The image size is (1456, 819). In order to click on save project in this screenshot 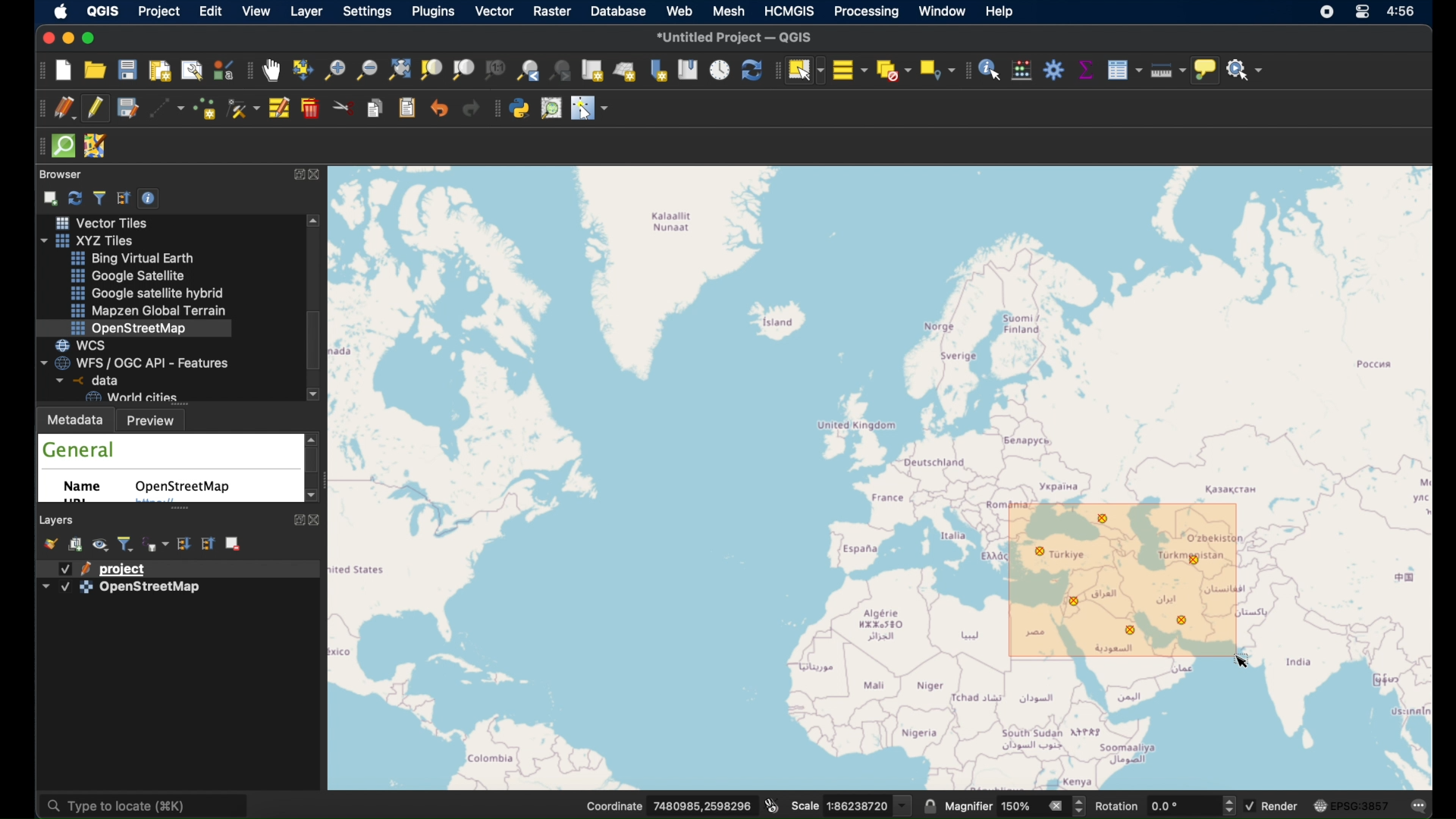, I will do `click(127, 108)`.